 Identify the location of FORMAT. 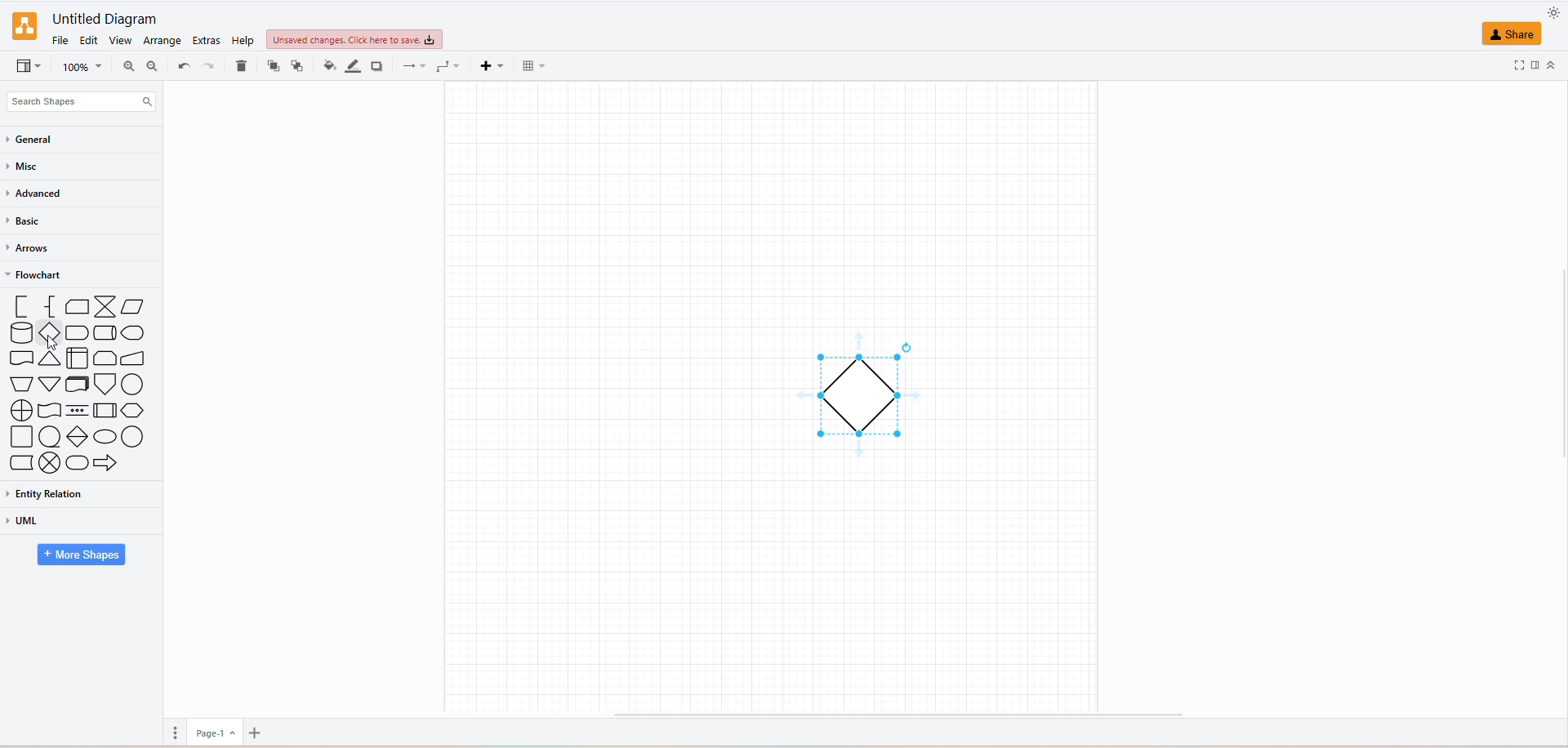
(1533, 65).